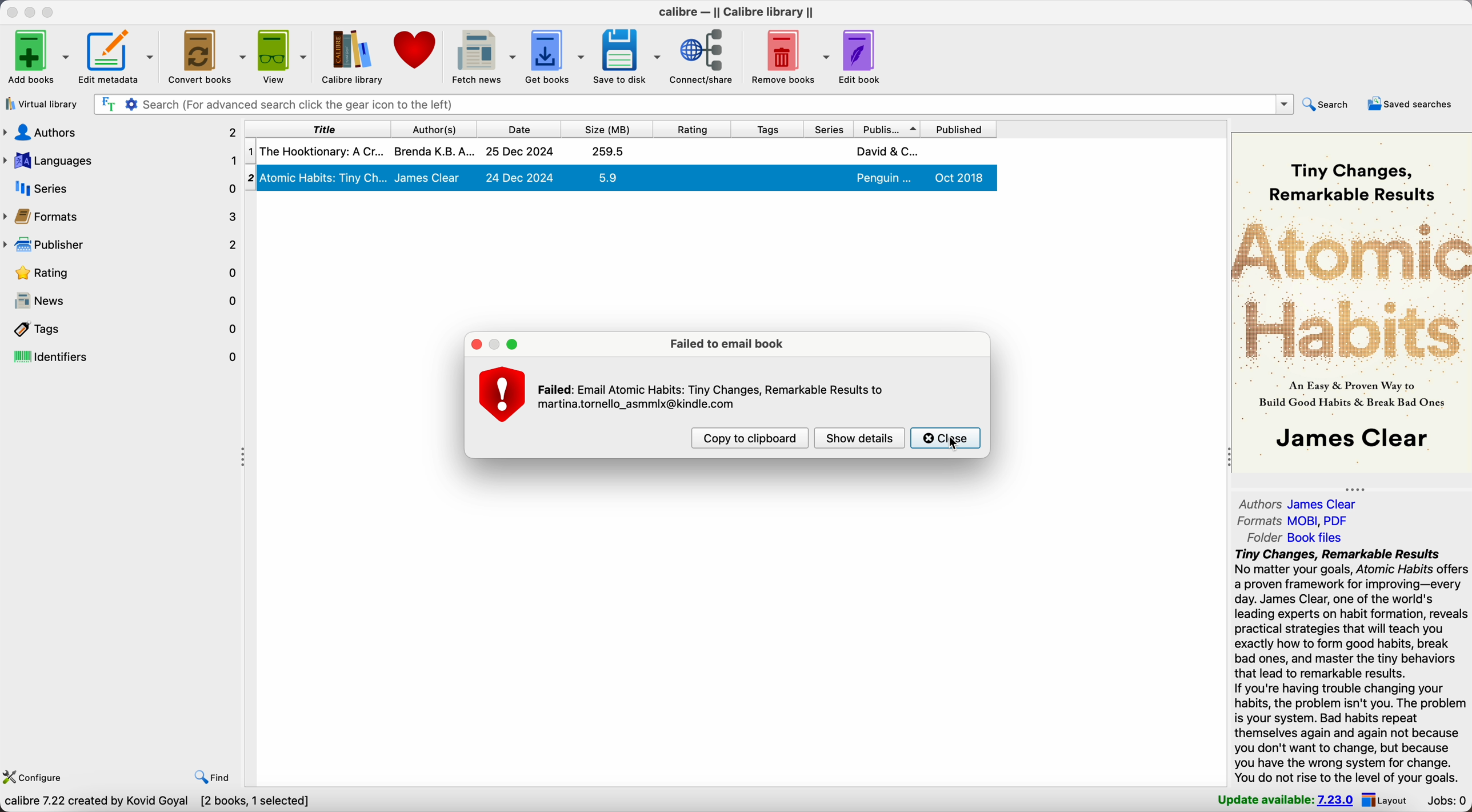 This screenshot has width=1472, height=812. Describe the element at coordinates (751, 439) in the screenshot. I see `copy to clipboard` at that location.